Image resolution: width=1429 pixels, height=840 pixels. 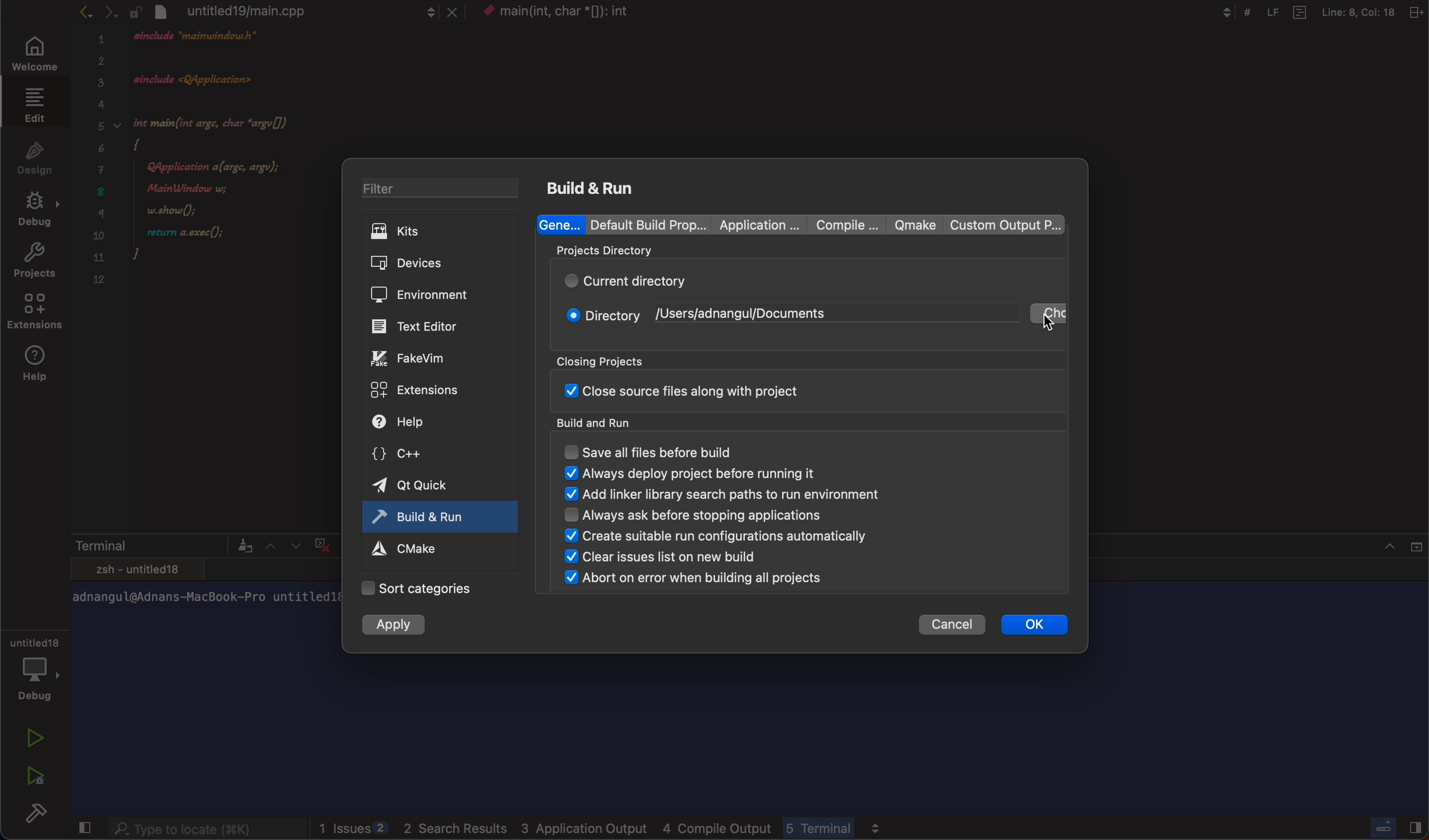 I want to click on always display, so click(x=695, y=474).